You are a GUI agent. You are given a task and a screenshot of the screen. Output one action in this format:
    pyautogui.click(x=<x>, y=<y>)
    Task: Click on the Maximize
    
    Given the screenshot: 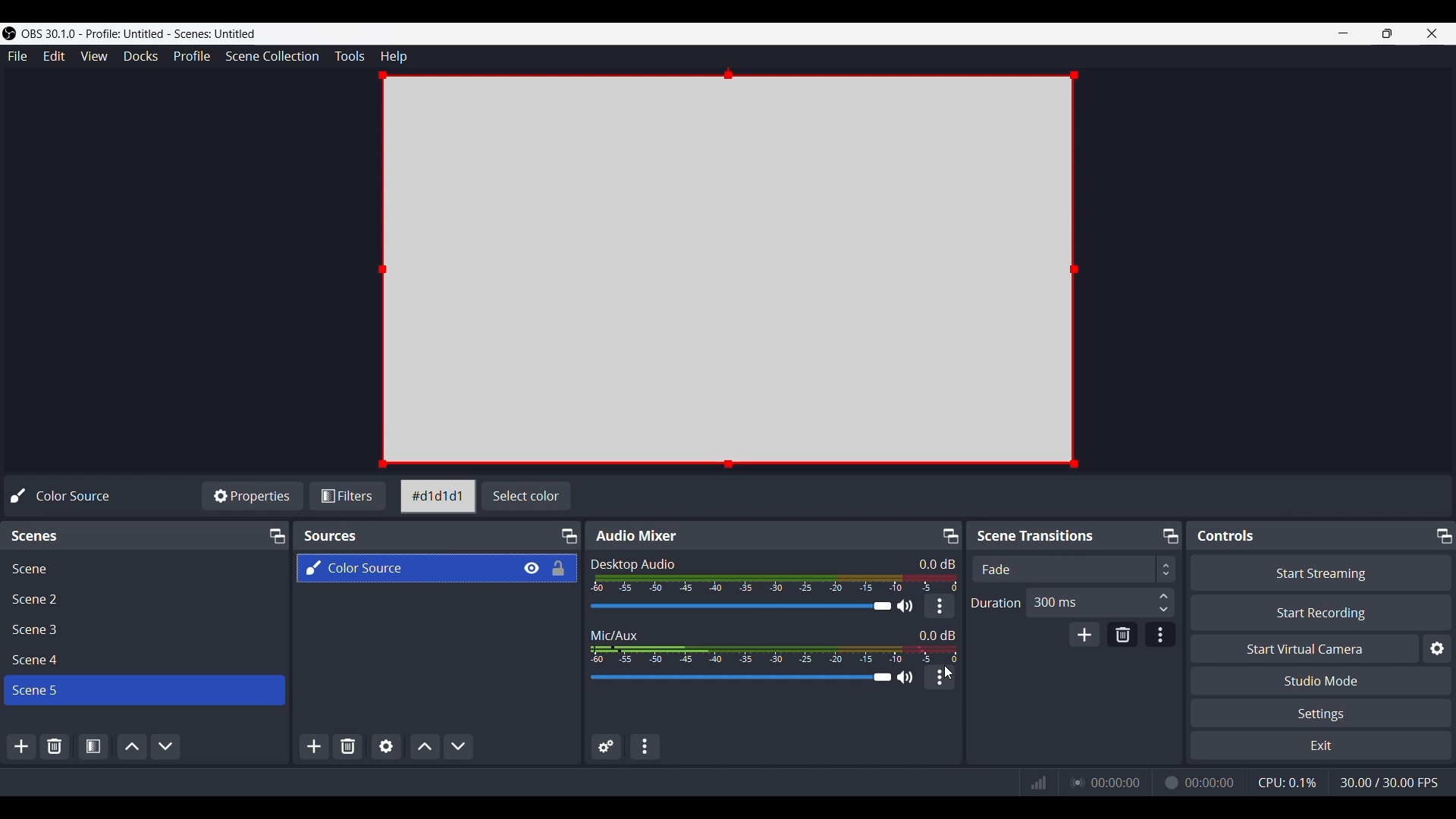 What is the action you would take?
    pyautogui.click(x=949, y=533)
    